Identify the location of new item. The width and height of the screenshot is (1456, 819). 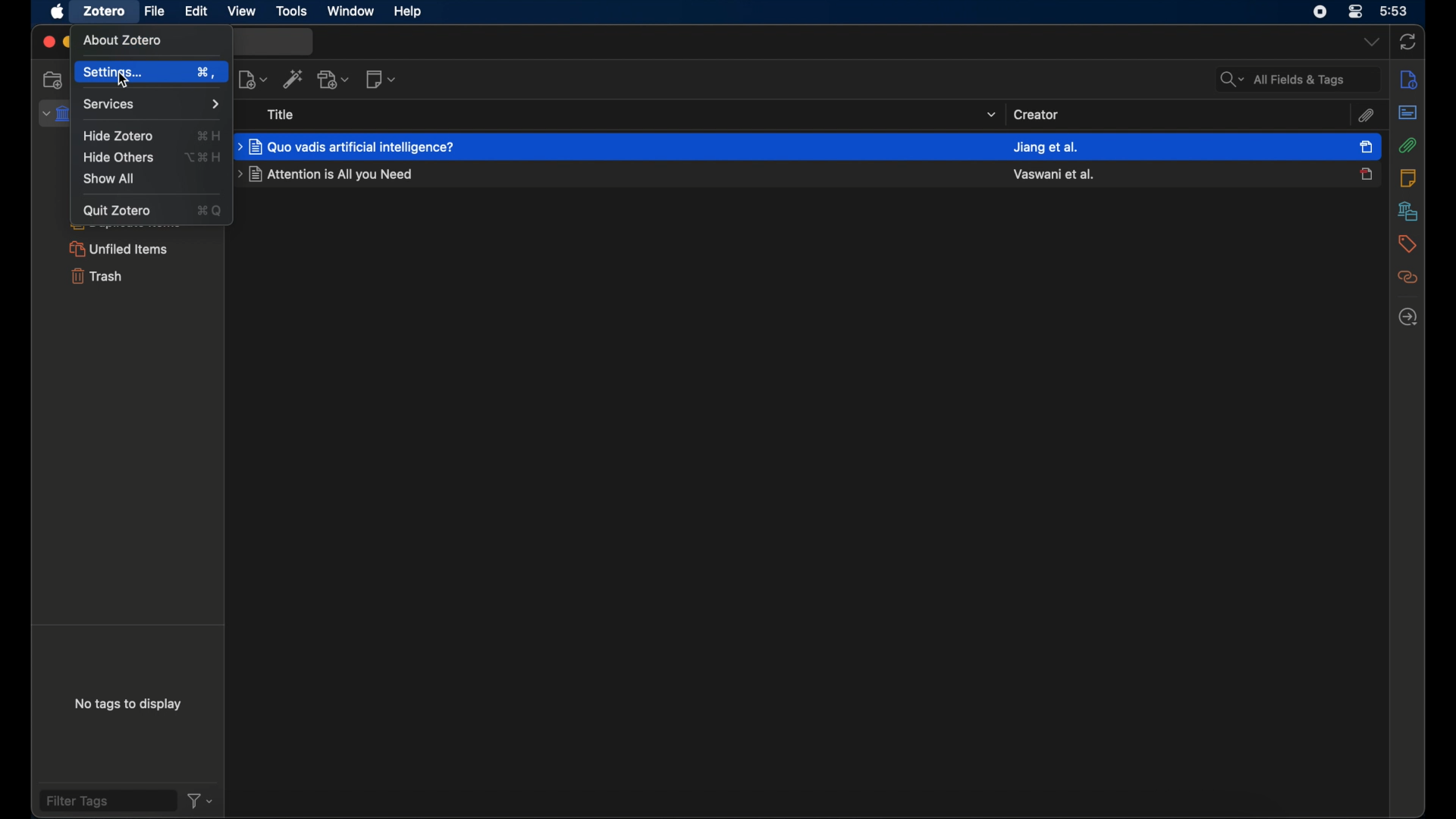
(254, 80).